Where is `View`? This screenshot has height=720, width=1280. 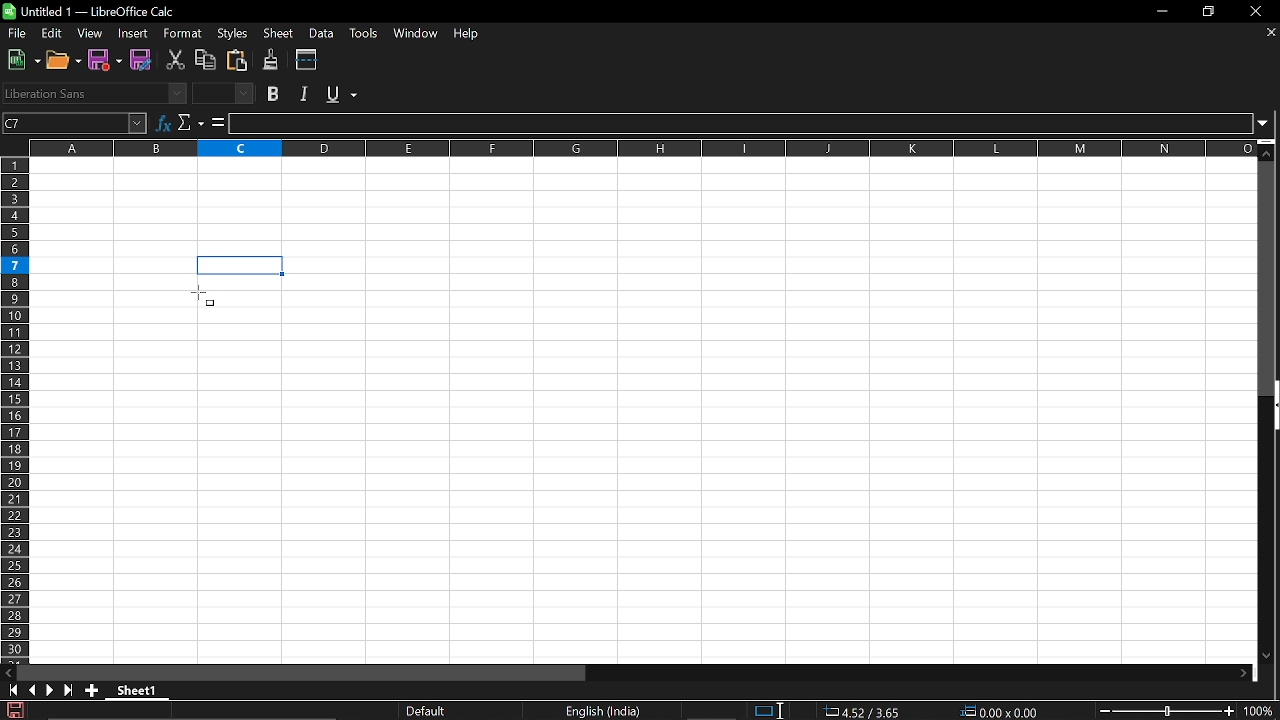 View is located at coordinates (90, 34).